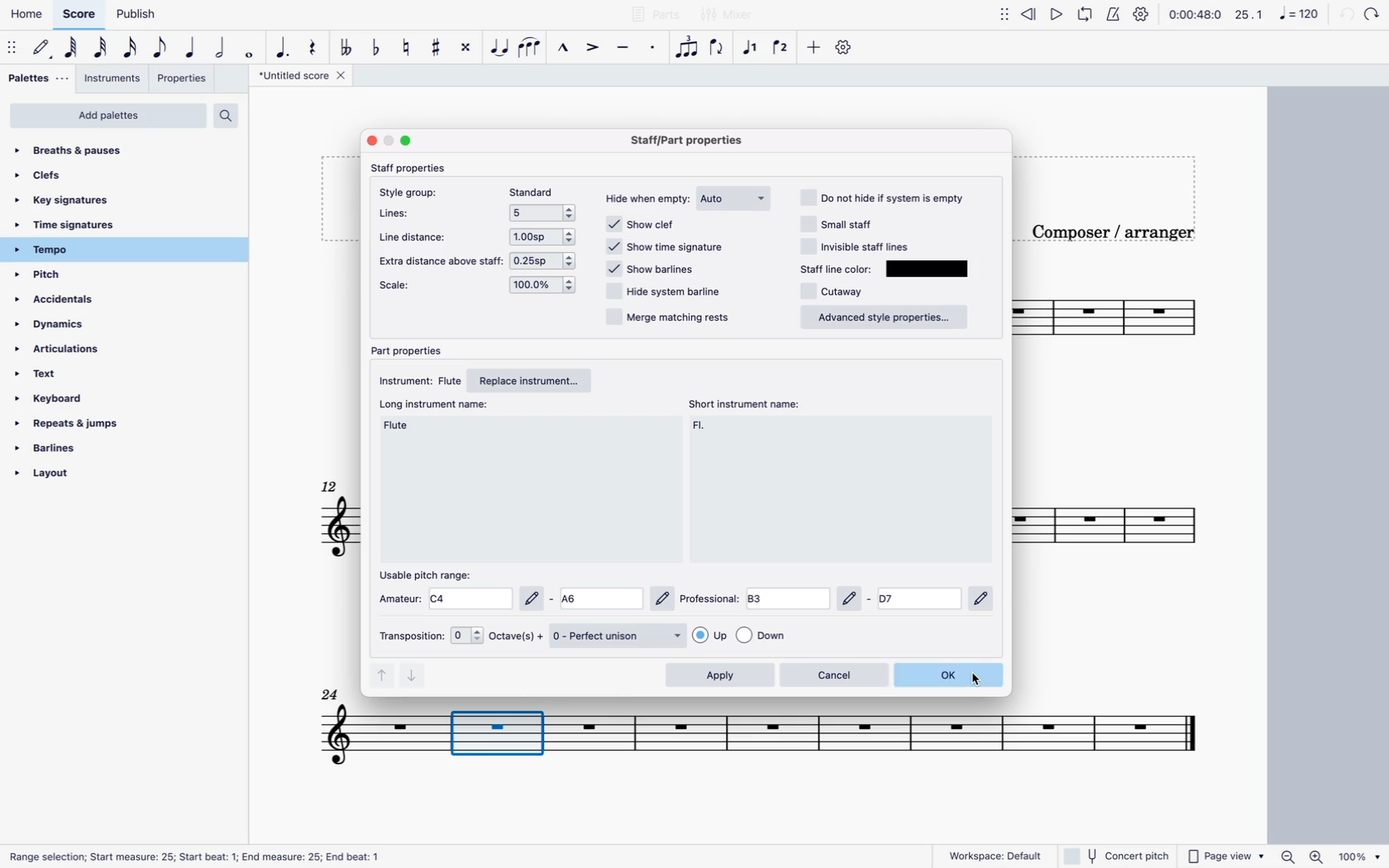 The height and width of the screenshot is (868, 1389). What do you see at coordinates (565, 48) in the screenshot?
I see `marcato` at bounding box center [565, 48].